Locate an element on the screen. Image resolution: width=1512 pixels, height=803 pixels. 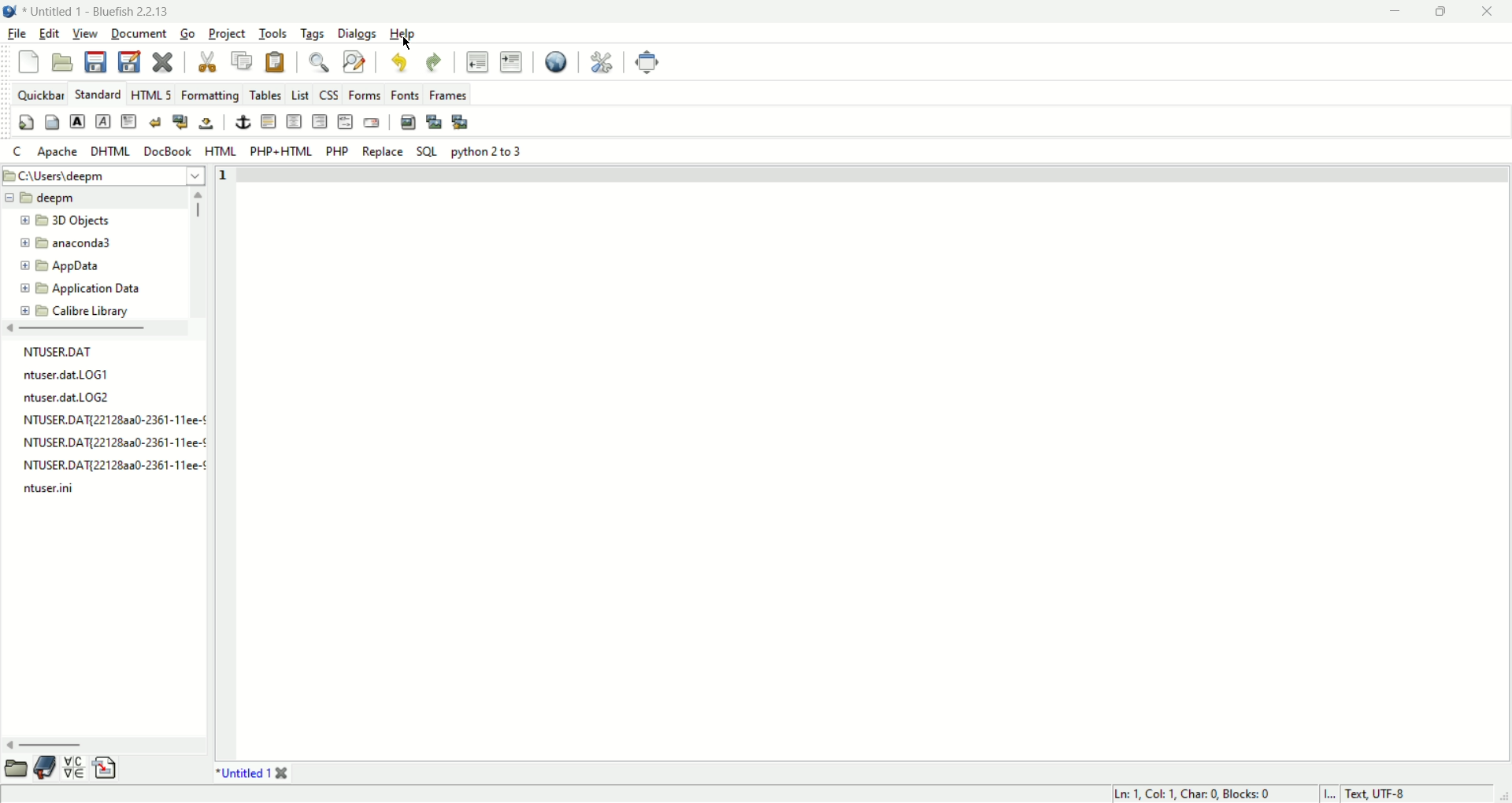
cursor position is located at coordinates (1191, 794).